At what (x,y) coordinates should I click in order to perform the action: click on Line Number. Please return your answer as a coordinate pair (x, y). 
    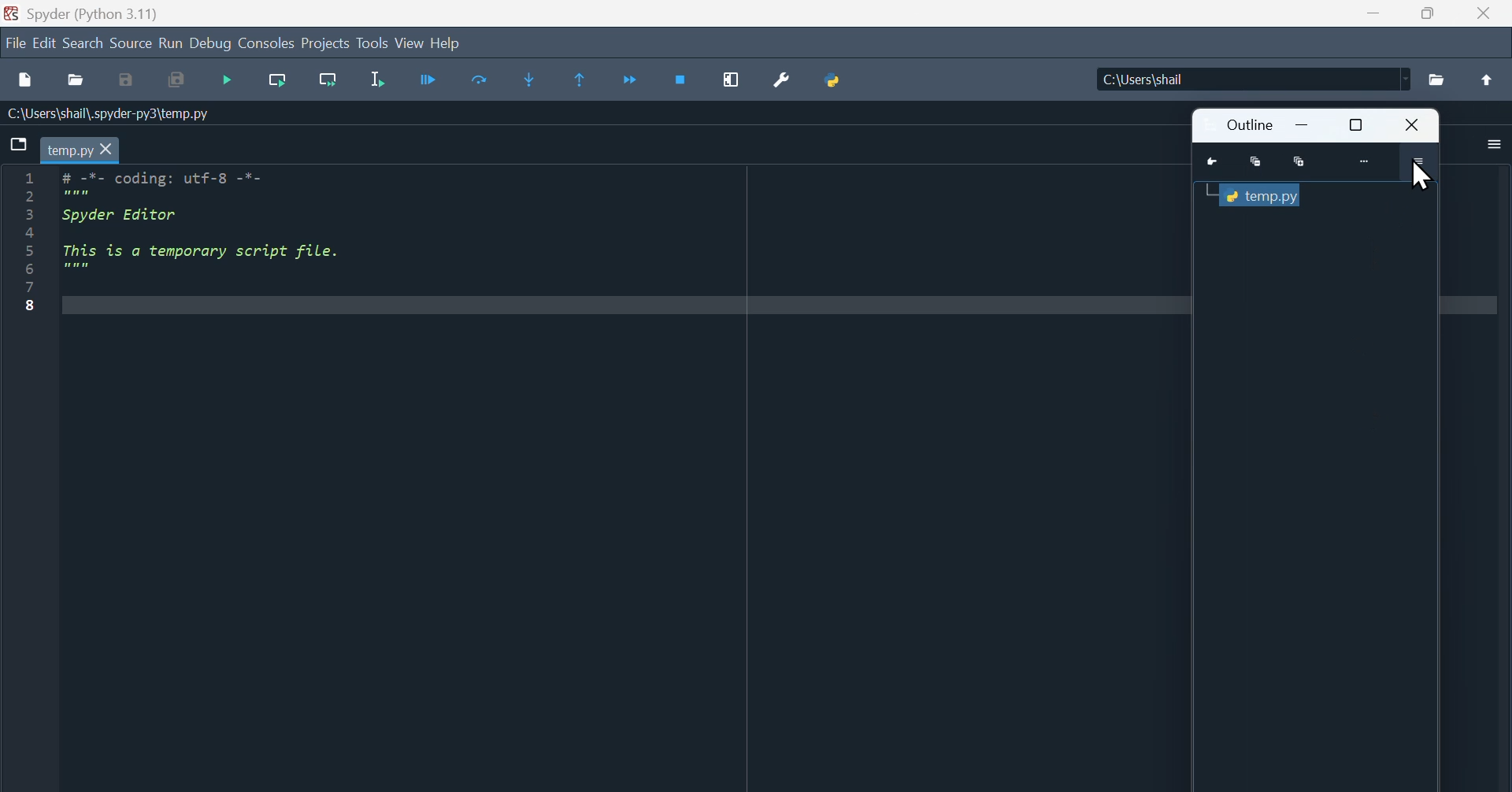
    Looking at the image, I should click on (31, 242).